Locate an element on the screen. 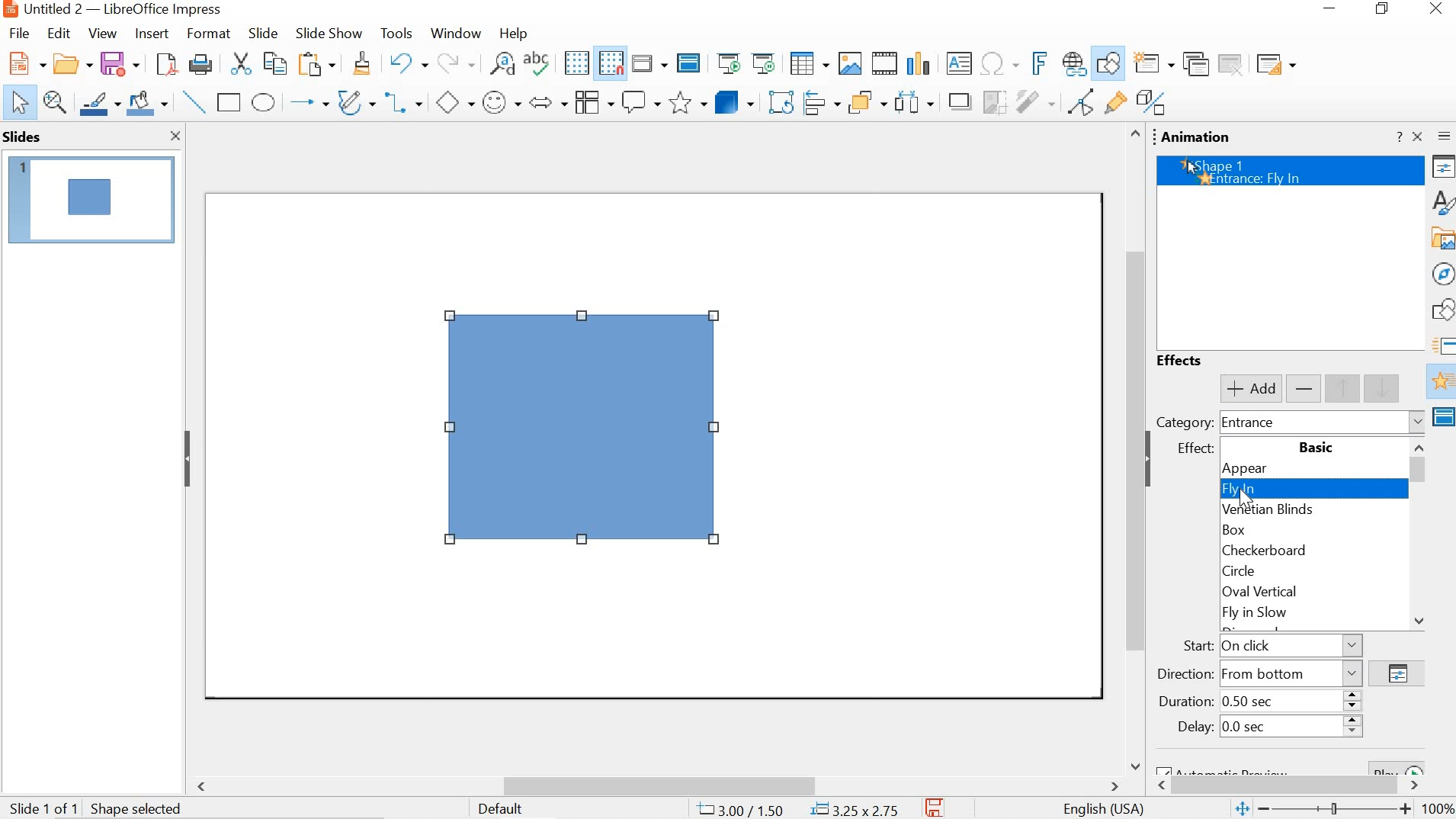 This screenshot has width=1456, height=819. category is located at coordinates (1184, 423).